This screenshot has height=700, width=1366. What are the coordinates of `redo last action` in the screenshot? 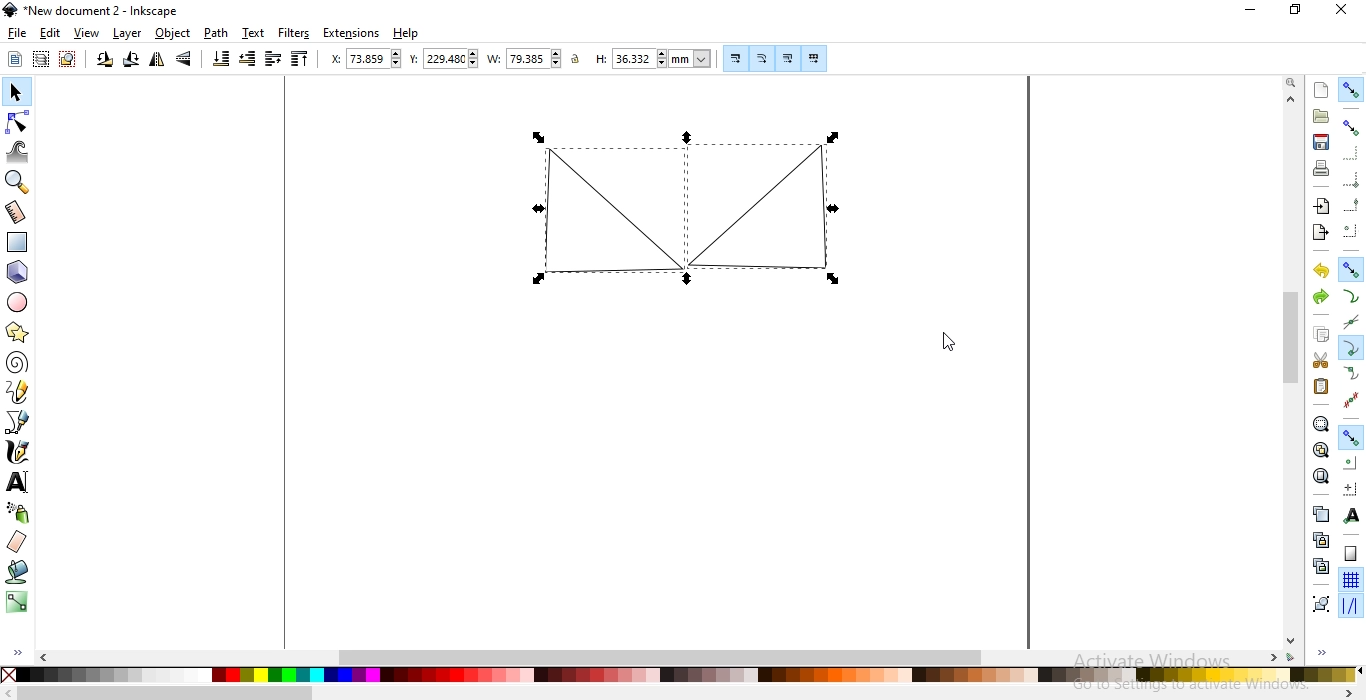 It's located at (1320, 298).